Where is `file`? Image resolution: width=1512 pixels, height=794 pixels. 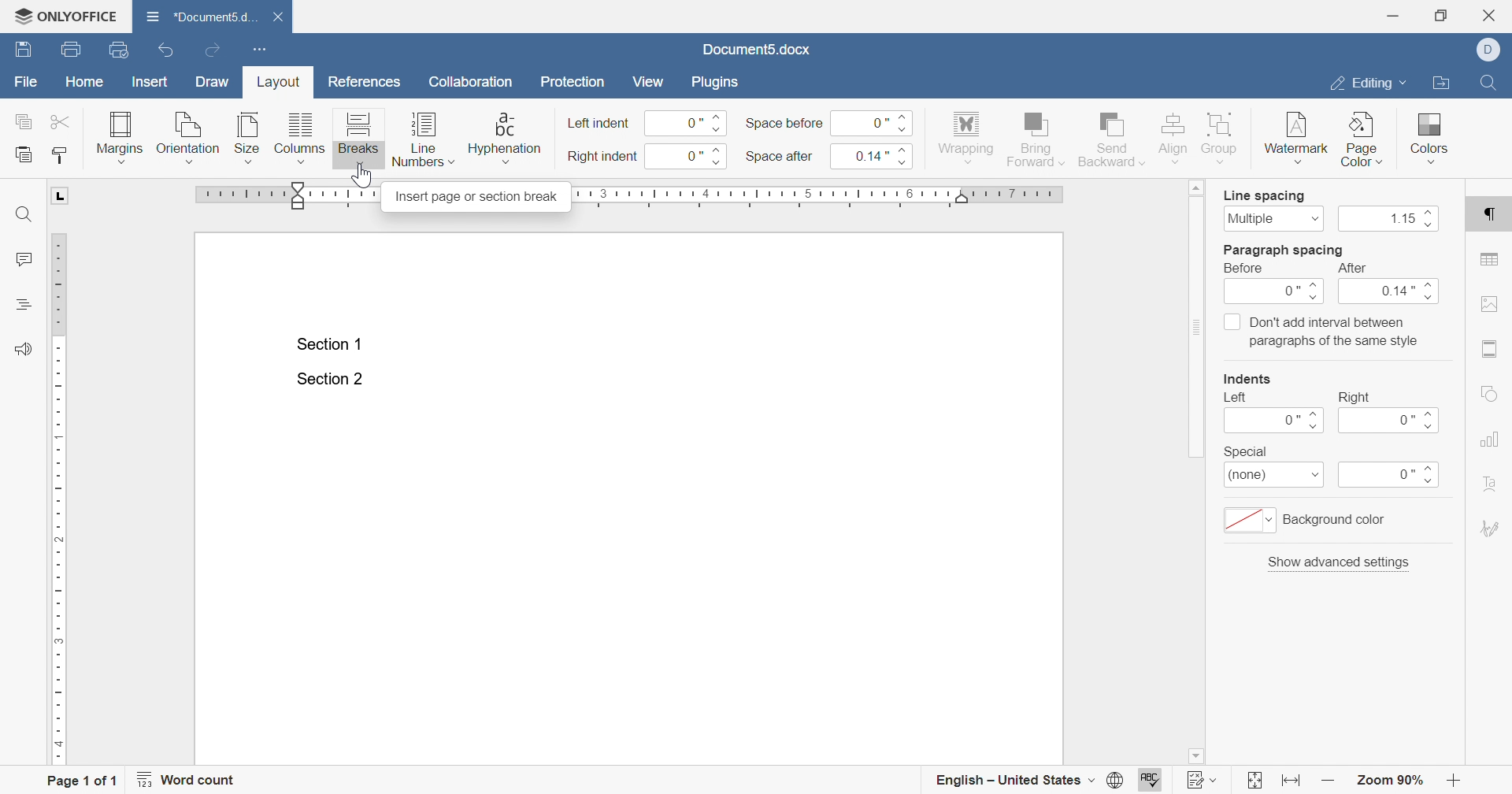 file is located at coordinates (27, 80).